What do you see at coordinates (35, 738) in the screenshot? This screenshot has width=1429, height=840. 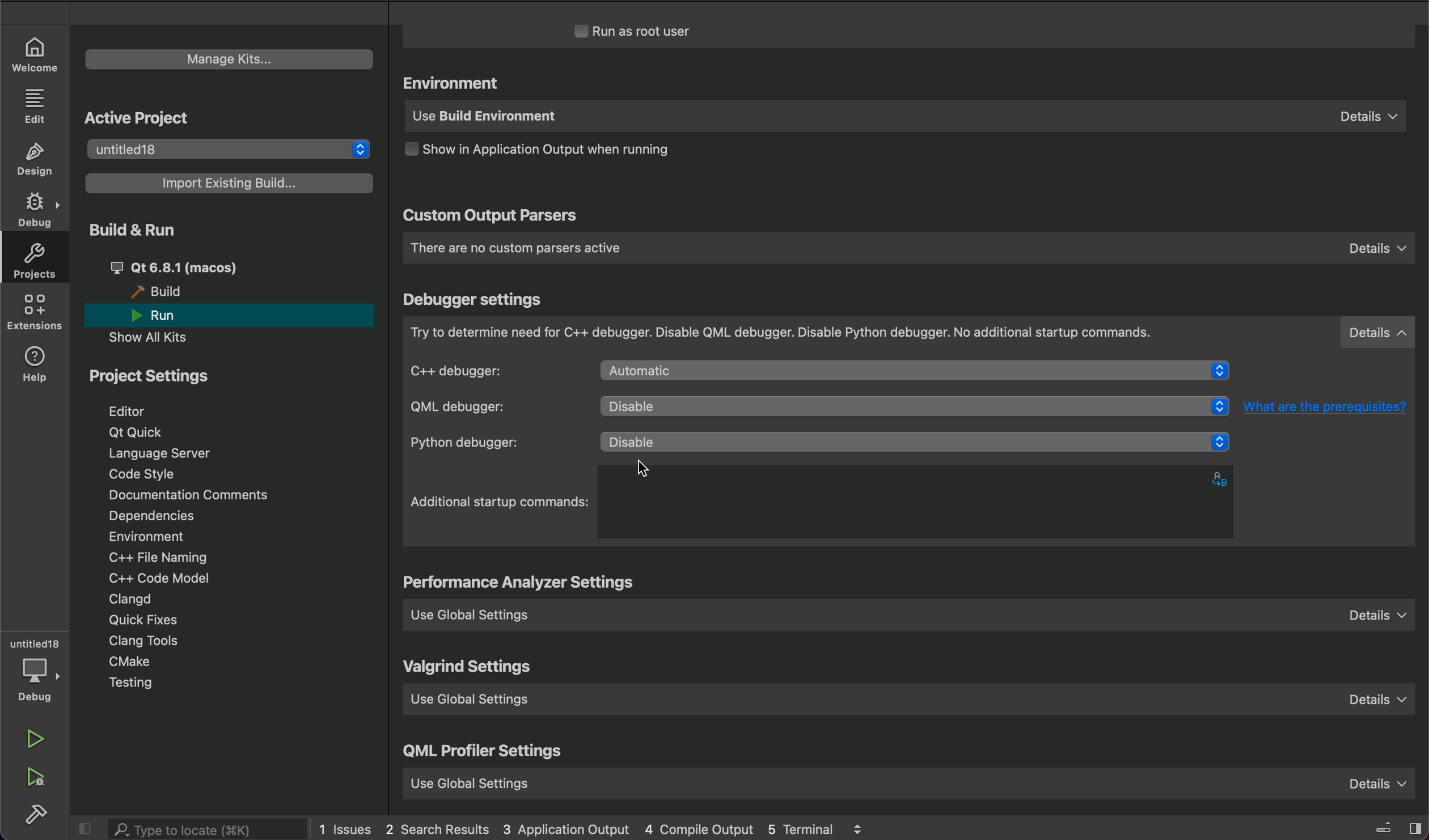 I see `run` at bounding box center [35, 738].